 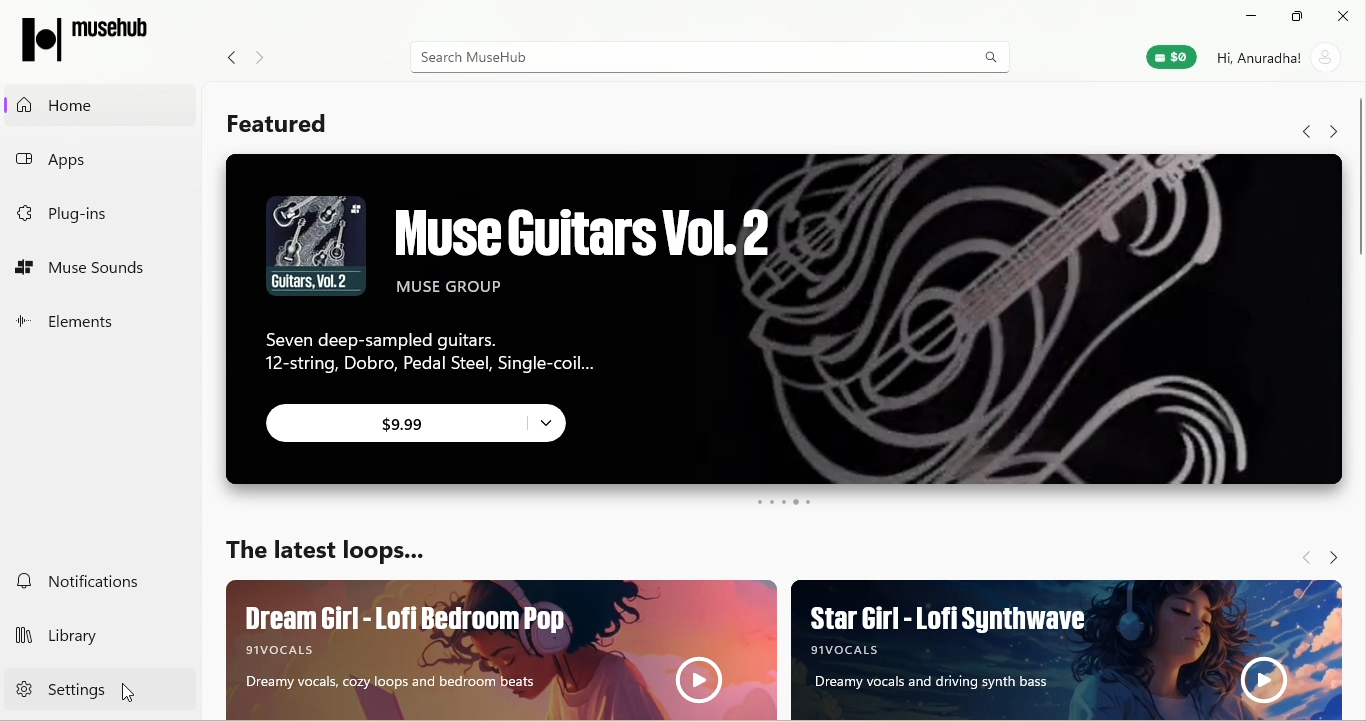 I want to click on apps, so click(x=93, y=162).